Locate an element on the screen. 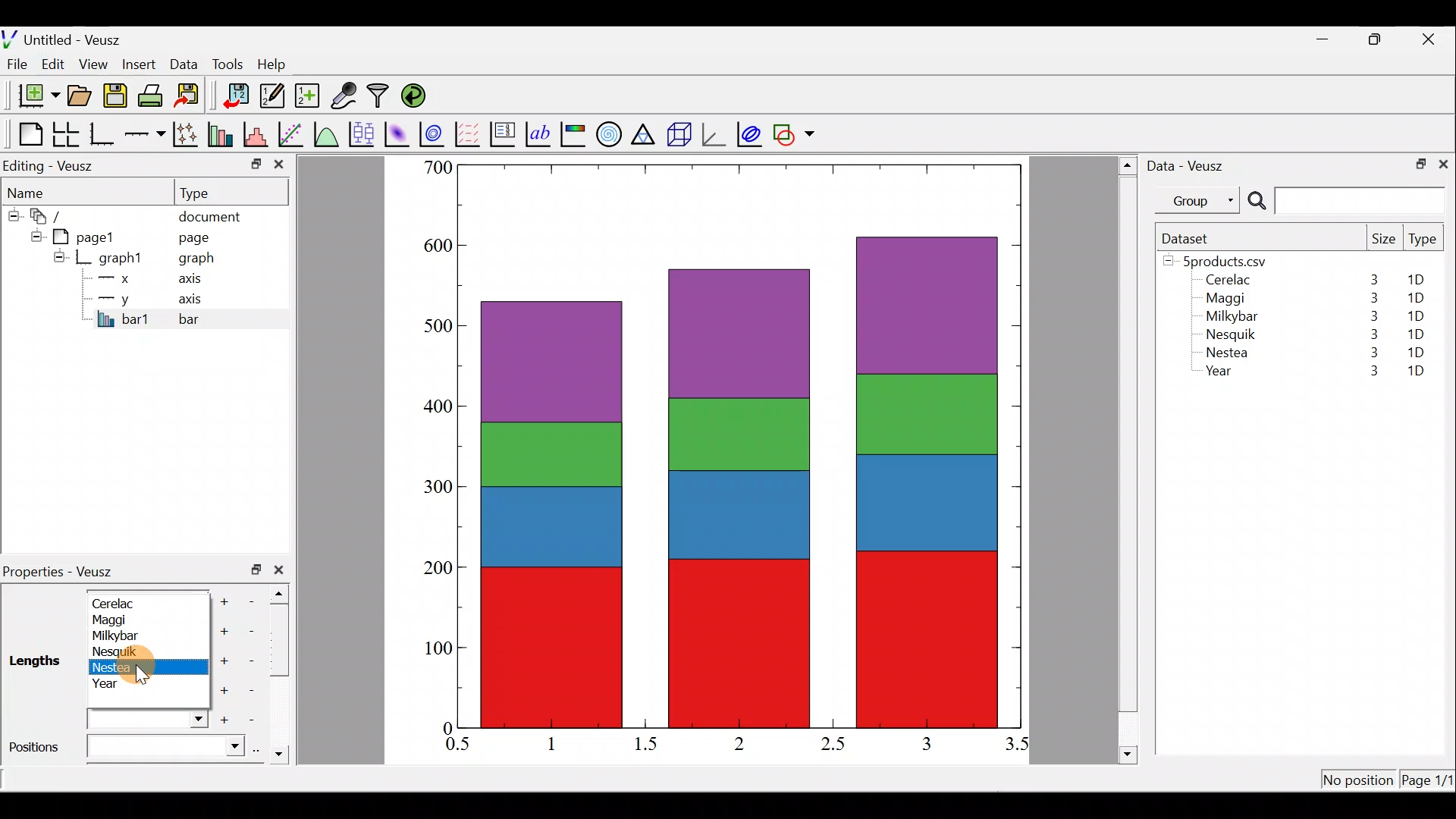  Create new dataset using ranges, parametrically, or as functions of existing datasets. is located at coordinates (309, 96).